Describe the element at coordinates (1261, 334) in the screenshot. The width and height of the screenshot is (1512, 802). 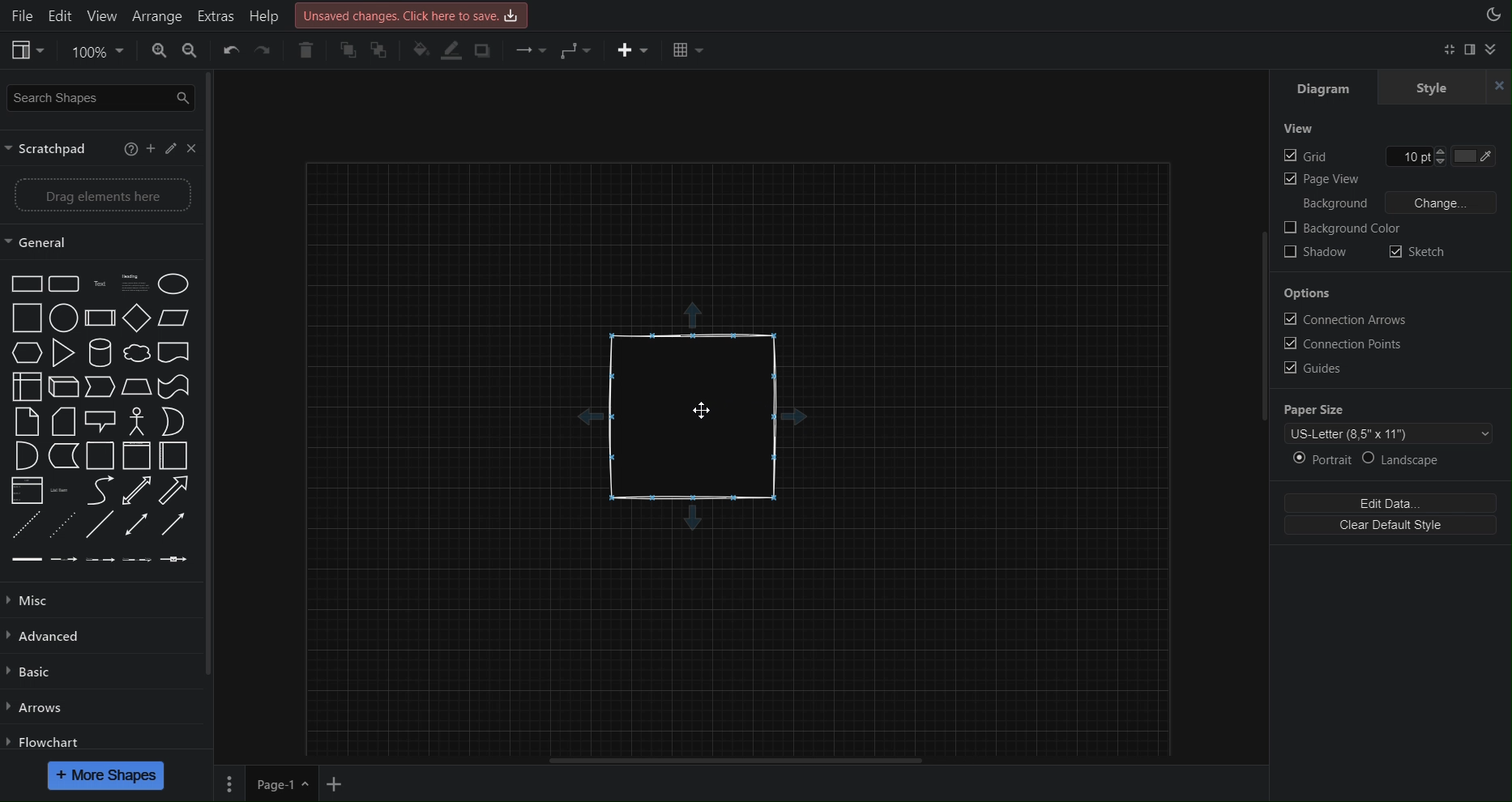
I see `Scrollbar` at that location.